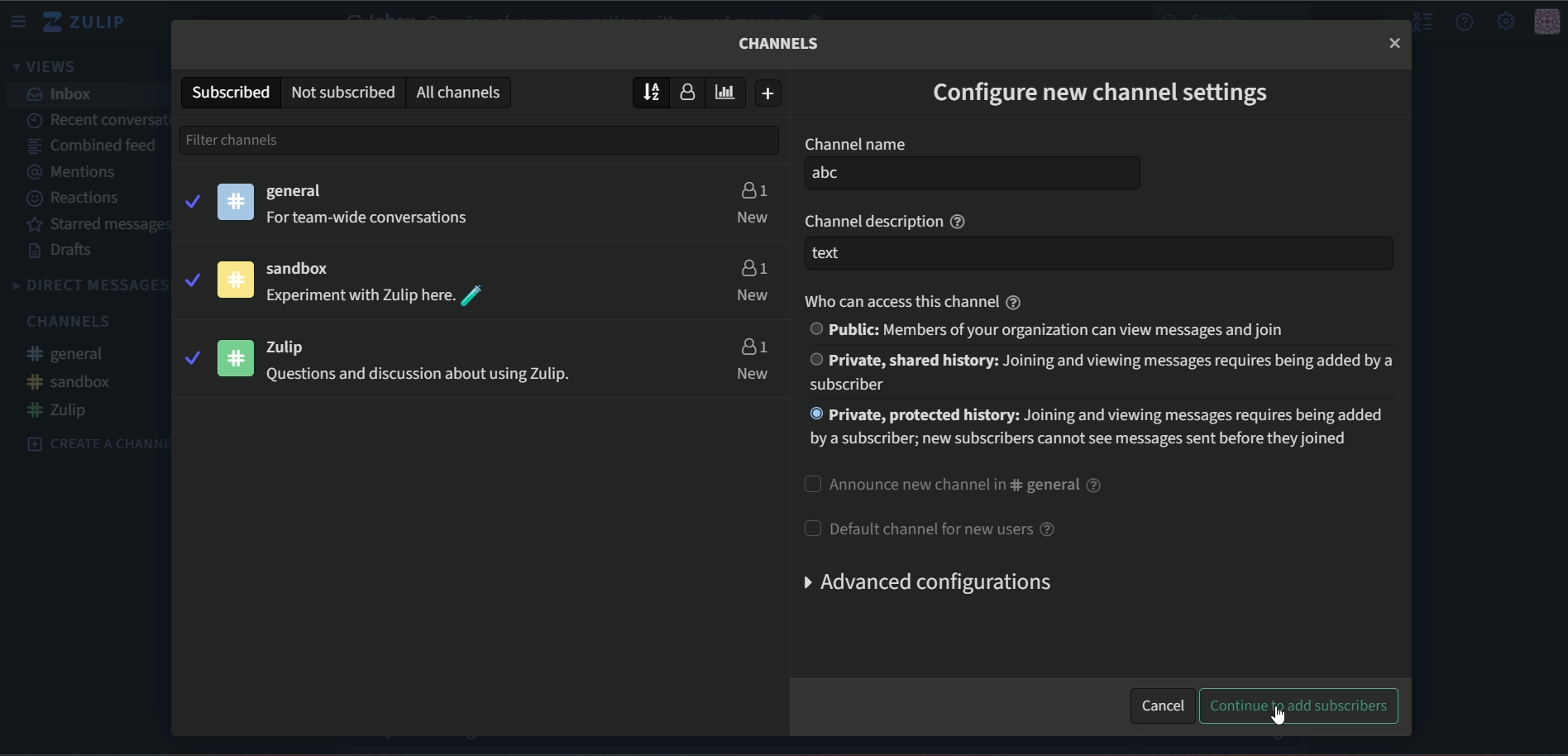 The image size is (1568, 756). Describe the element at coordinates (1394, 42) in the screenshot. I see `close` at that location.